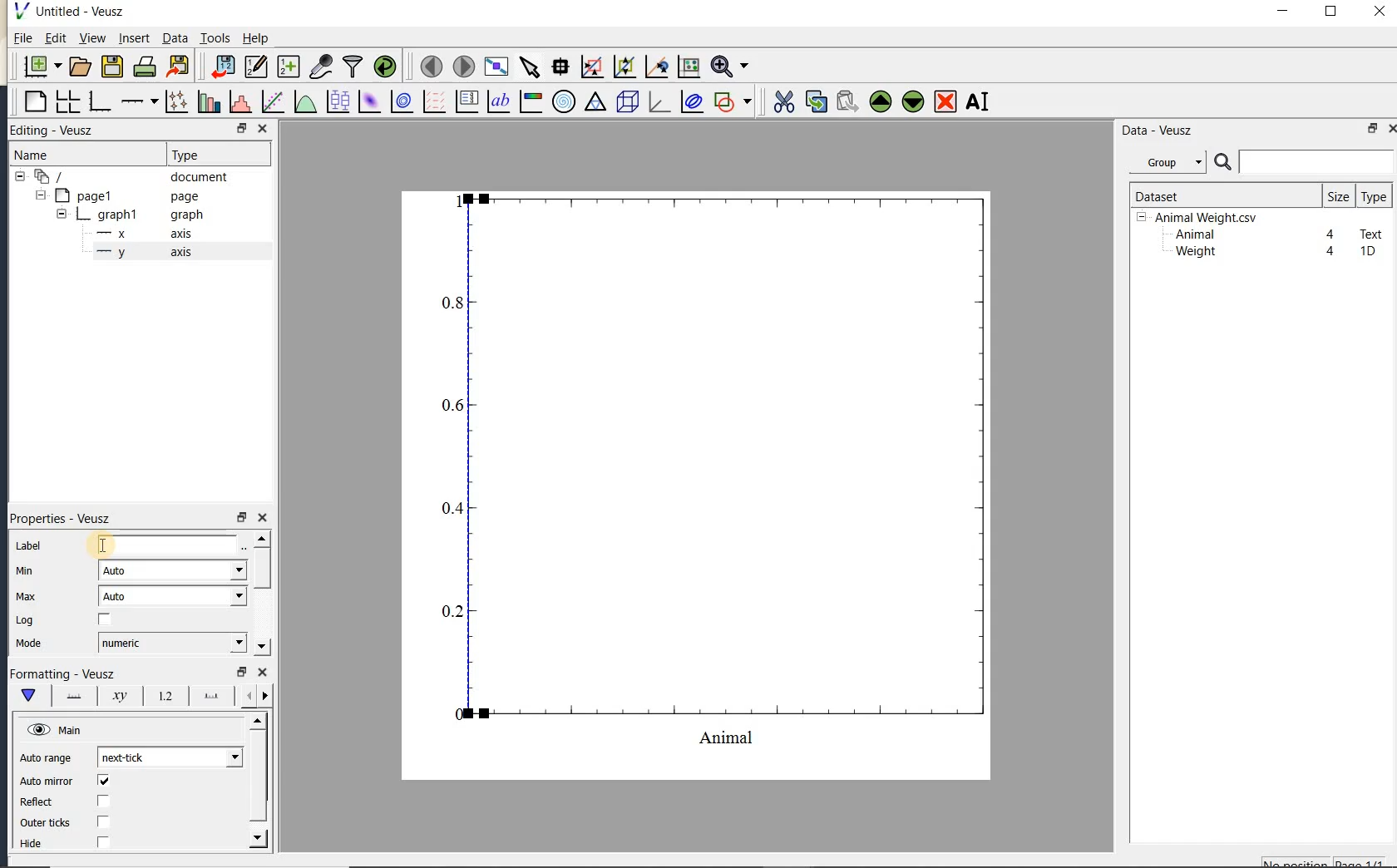 Image resolution: width=1397 pixels, height=868 pixels. What do you see at coordinates (98, 545) in the screenshot?
I see `cursor` at bounding box center [98, 545].